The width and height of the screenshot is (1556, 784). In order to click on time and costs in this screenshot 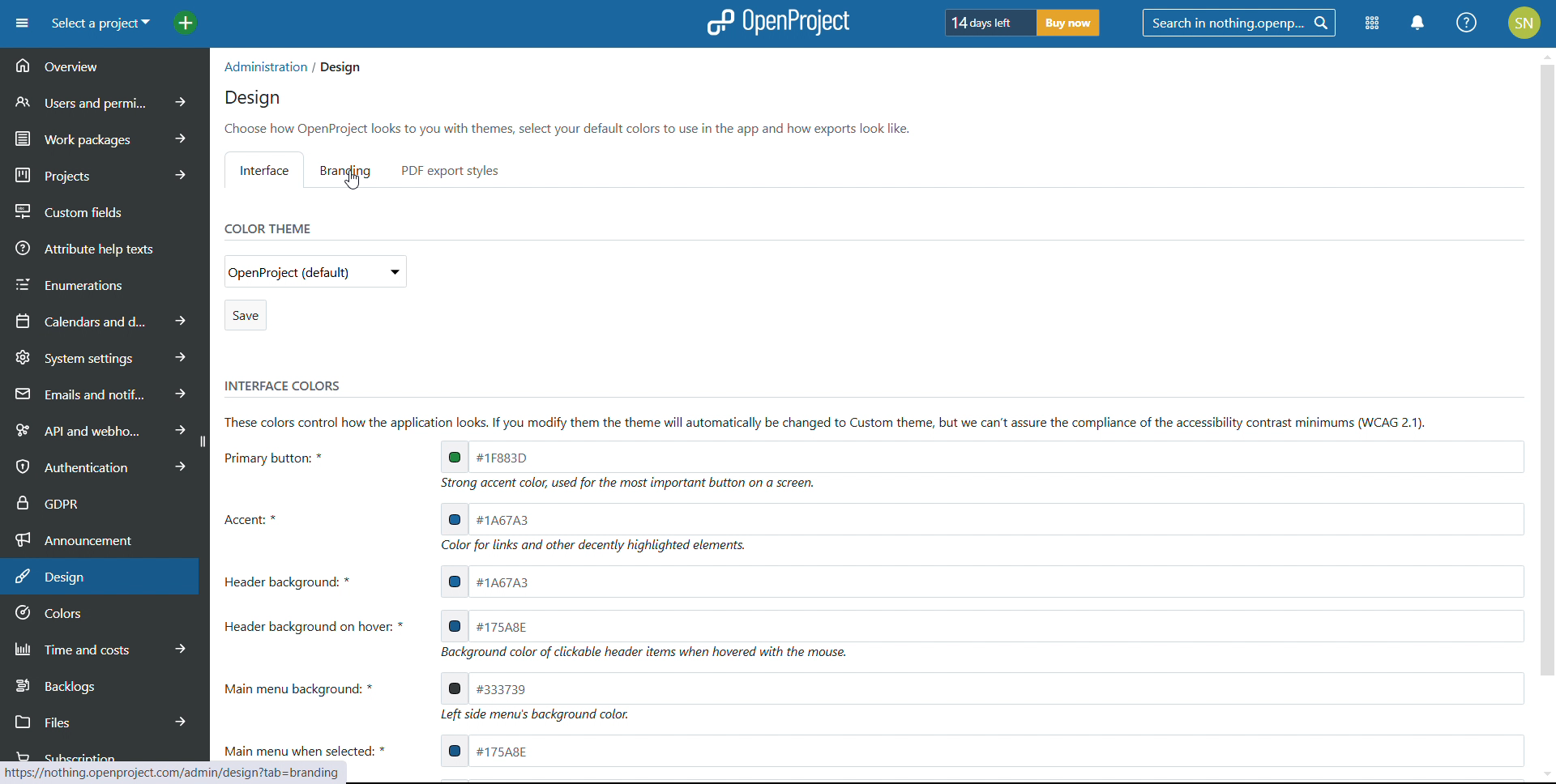, I will do `click(102, 647)`.